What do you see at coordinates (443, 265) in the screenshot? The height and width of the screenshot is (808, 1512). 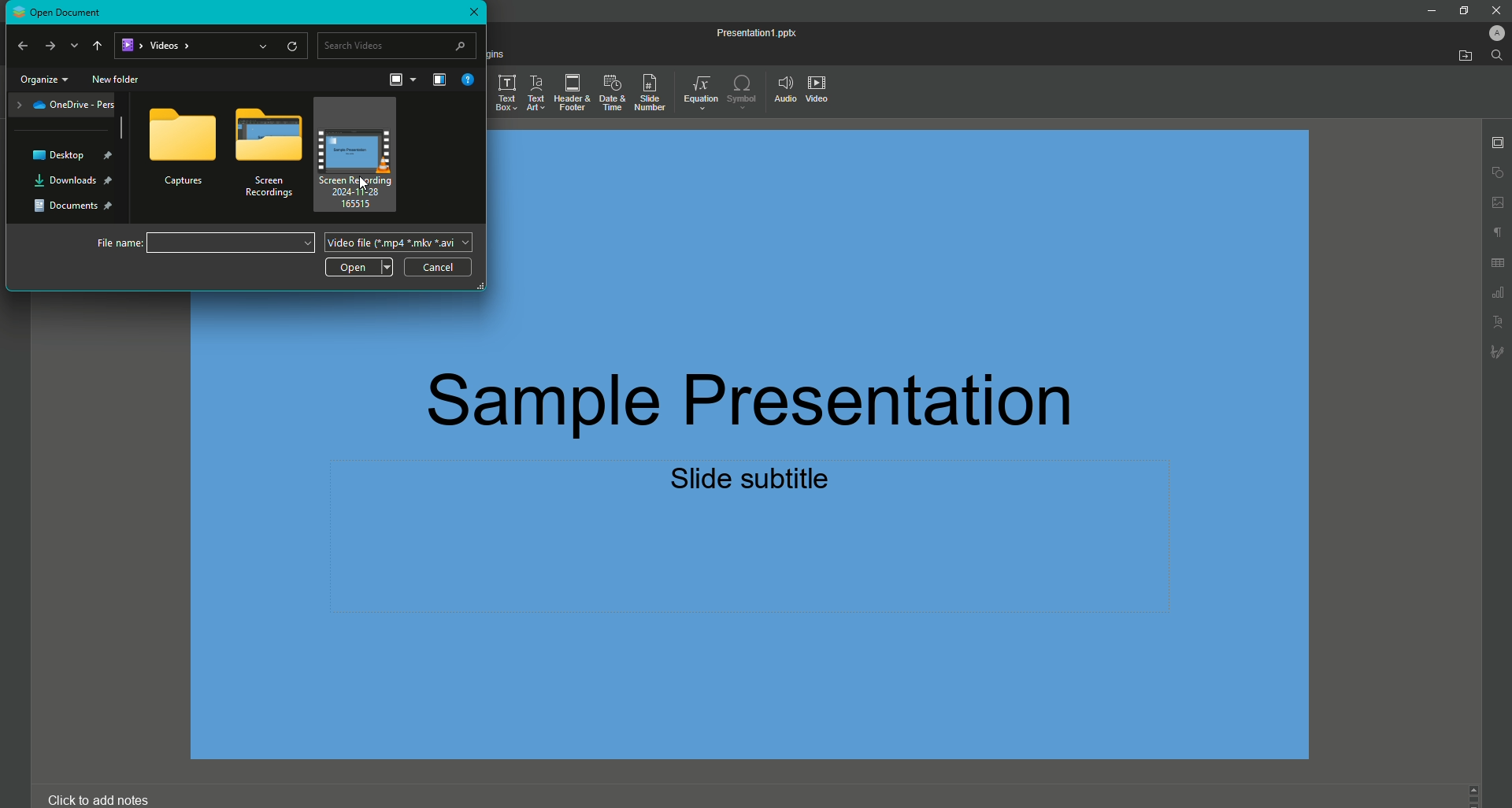 I see `Cancel` at bounding box center [443, 265].